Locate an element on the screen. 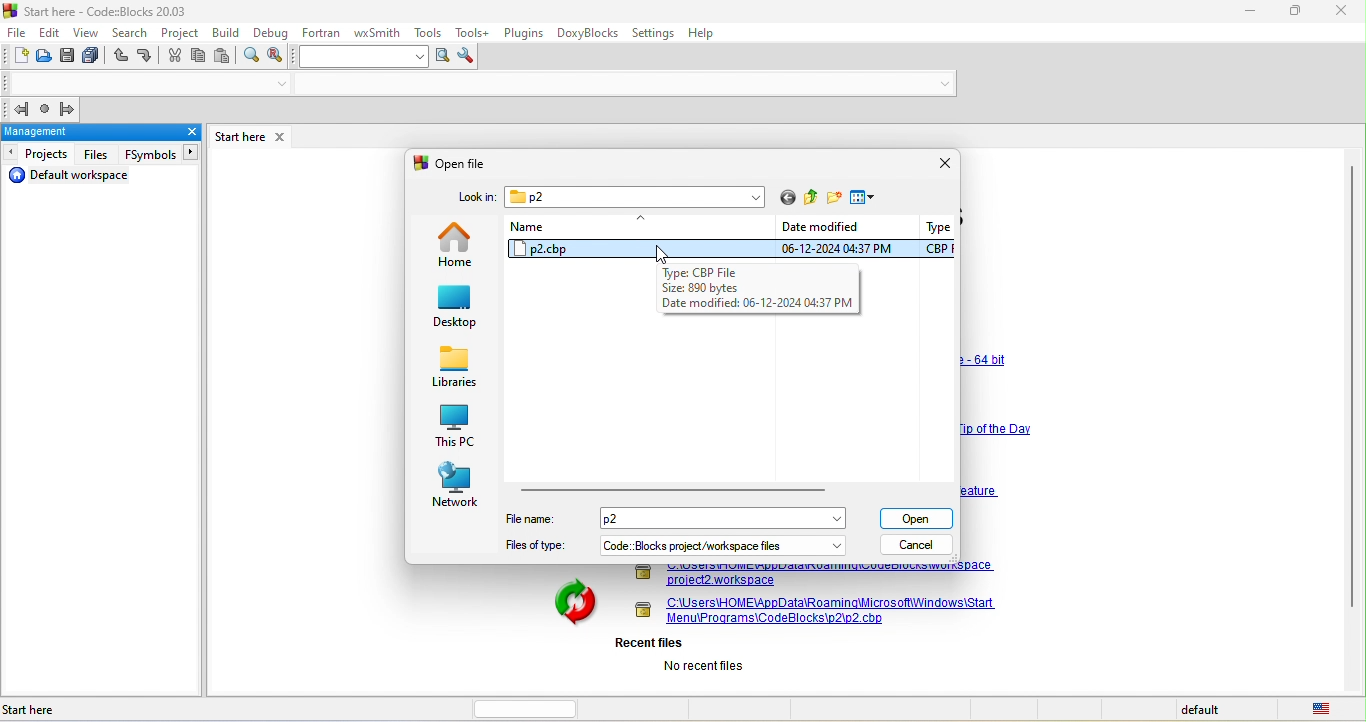 This screenshot has height=722, width=1366. save is located at coordinates (69, 54).